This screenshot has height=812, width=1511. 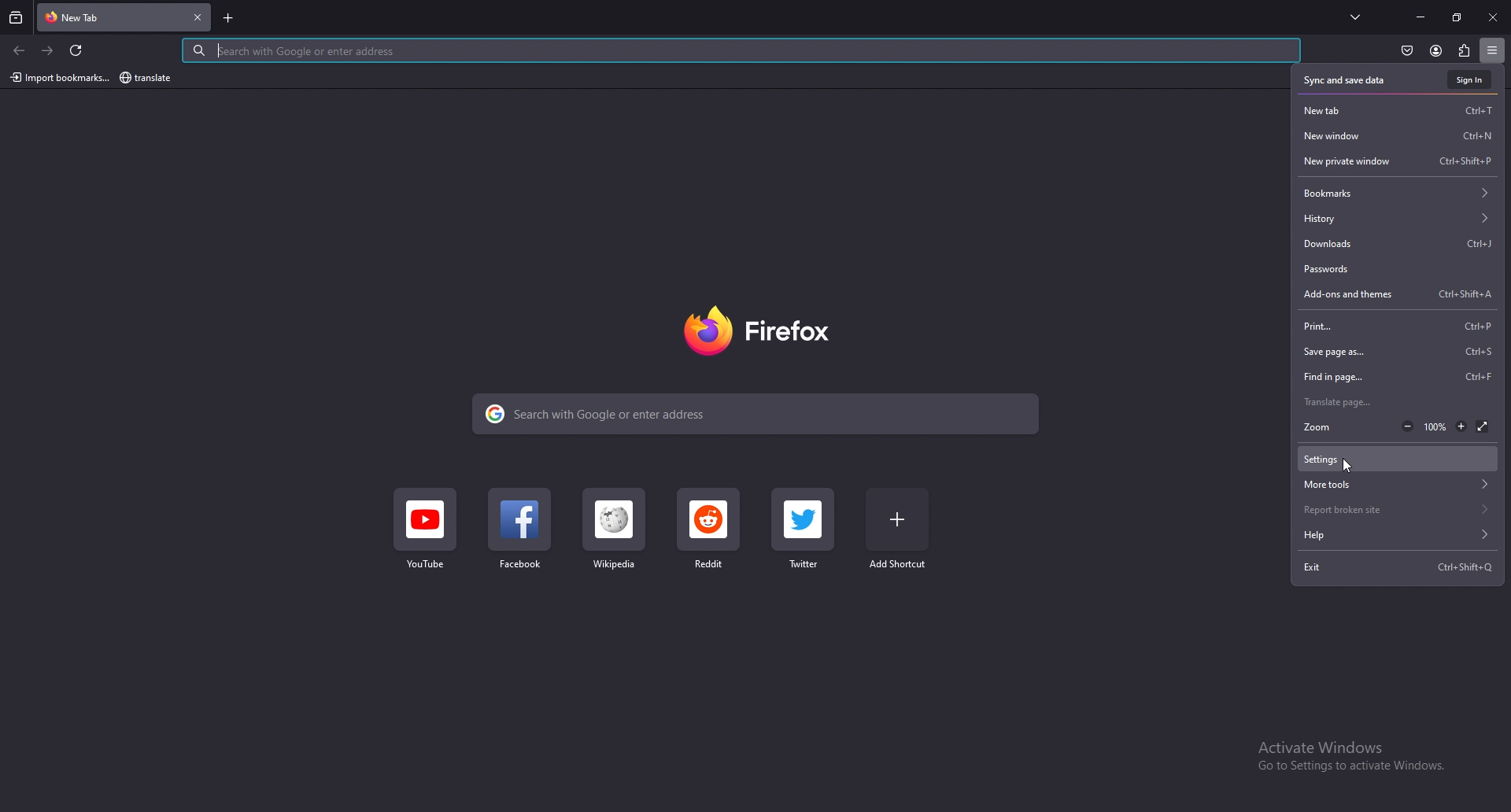 What do you see at coordinates (1457, 17) in the screenshot?
I see `resize` at bounding box center [1457, 17].